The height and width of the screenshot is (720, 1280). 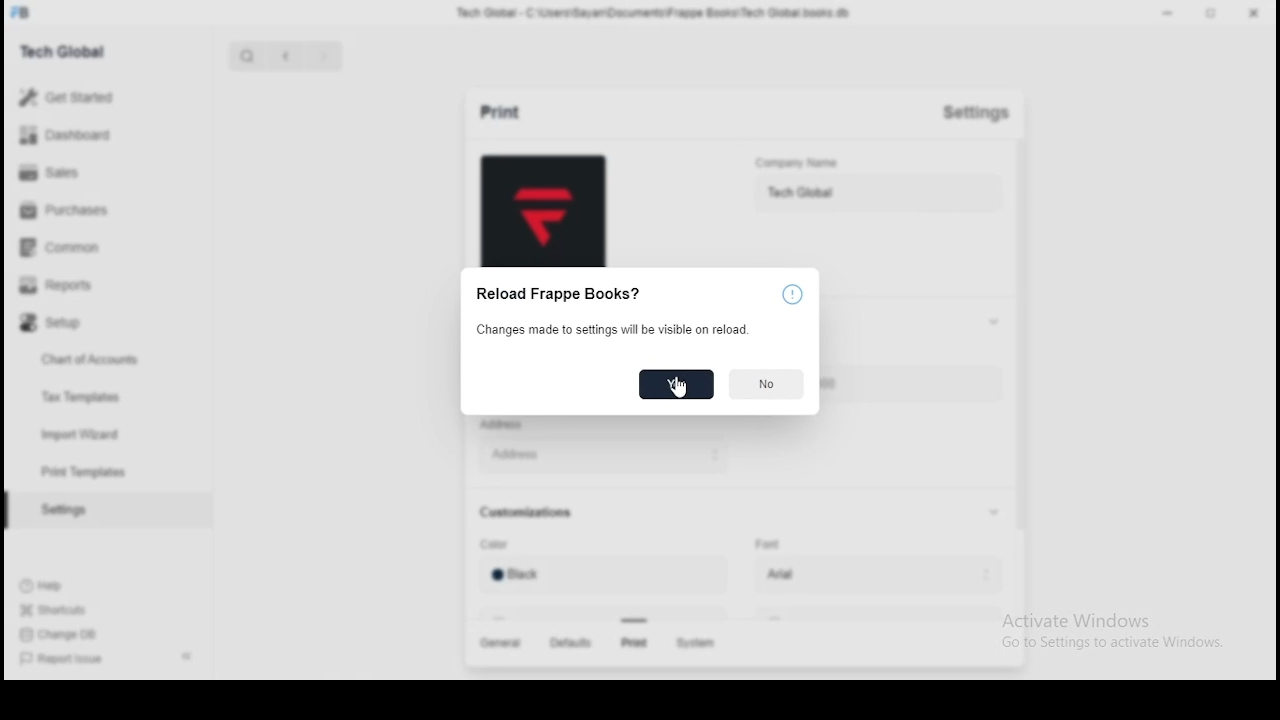 I want to click on MINIMIZE , so click(x=1171, y=12).